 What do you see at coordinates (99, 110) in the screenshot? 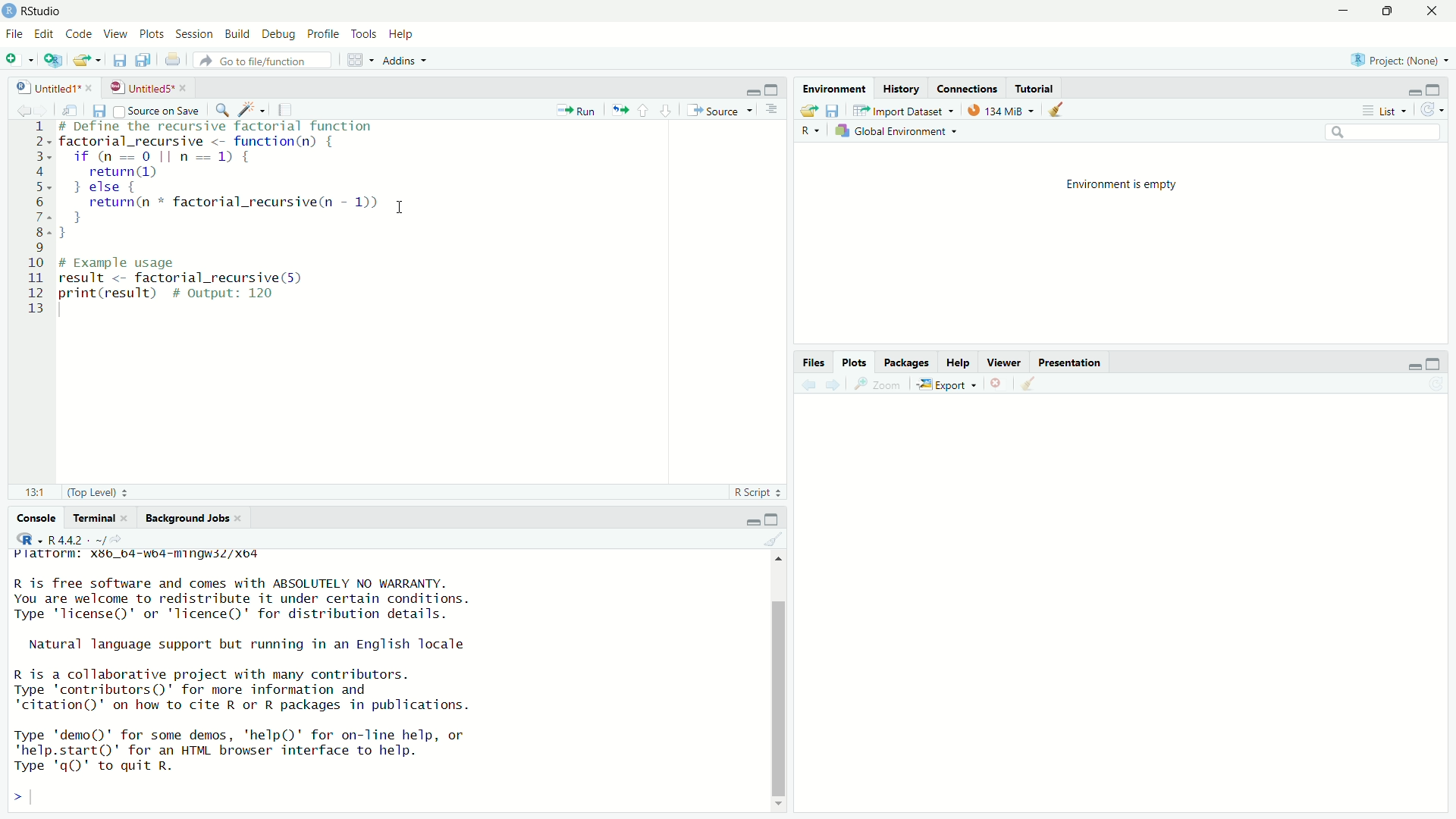
I see `Save current document (Ctrl + S)` at bounding box center [99, 110].